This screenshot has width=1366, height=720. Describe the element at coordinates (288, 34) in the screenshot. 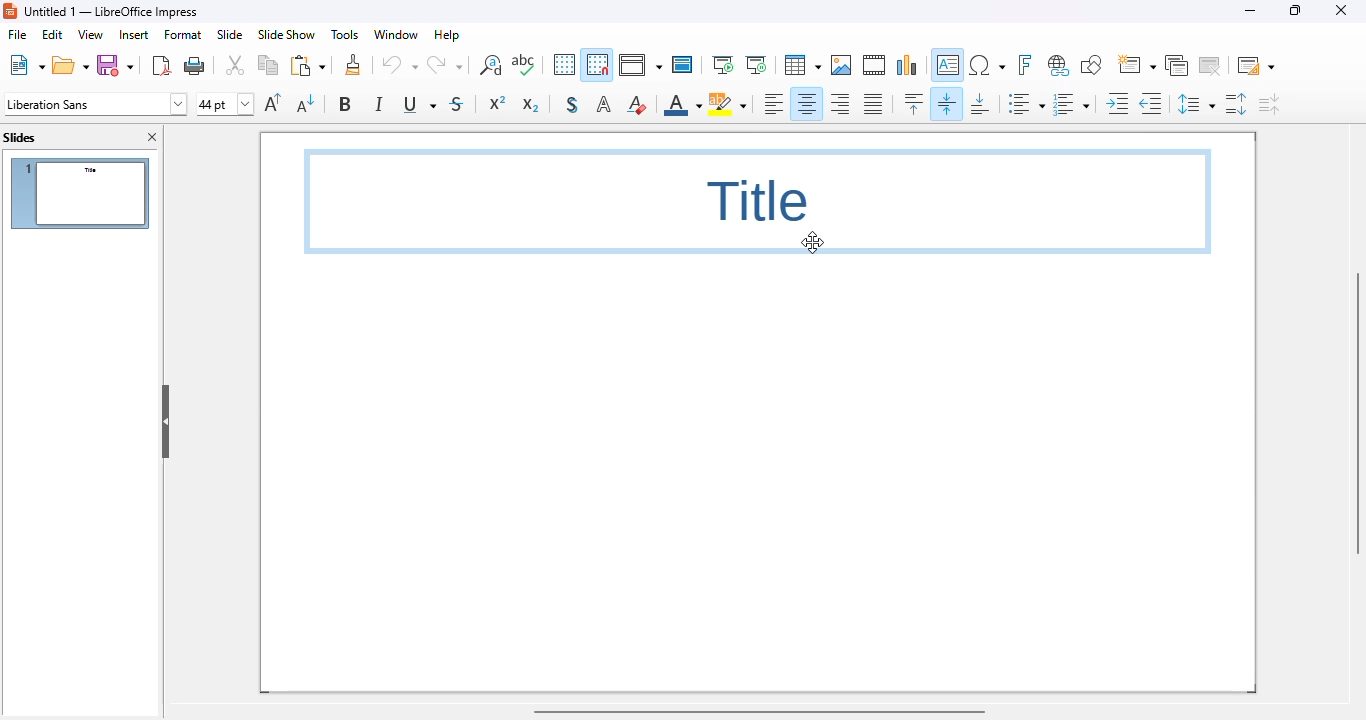

I see `slide show` at that location.